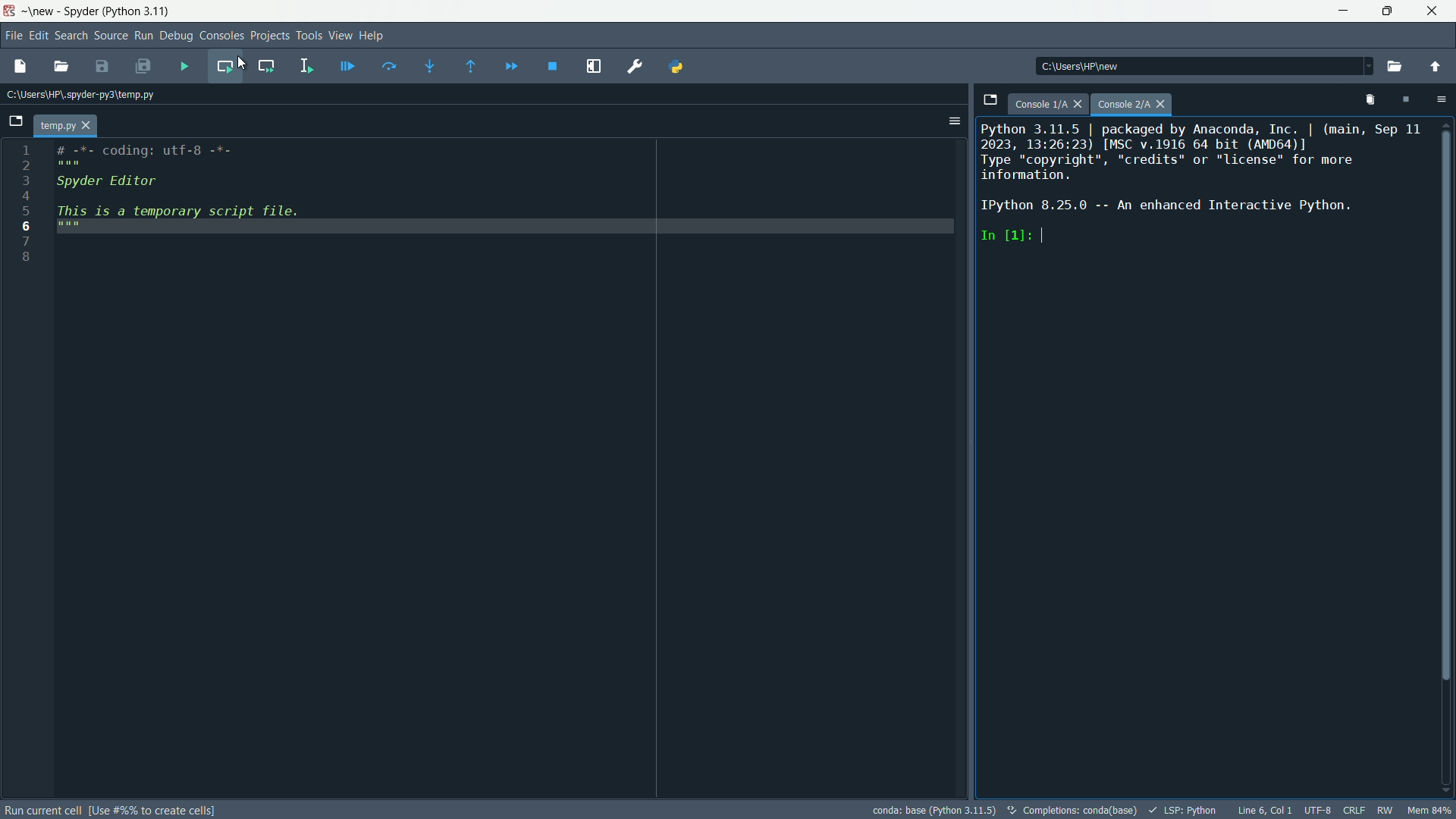 Image resolution: width=1456 pixels, height=819 pixels. What do you see at coordinates (1185, 809) in the screenshot?
I see `lsp:python` at bounding box center [1185, 809].